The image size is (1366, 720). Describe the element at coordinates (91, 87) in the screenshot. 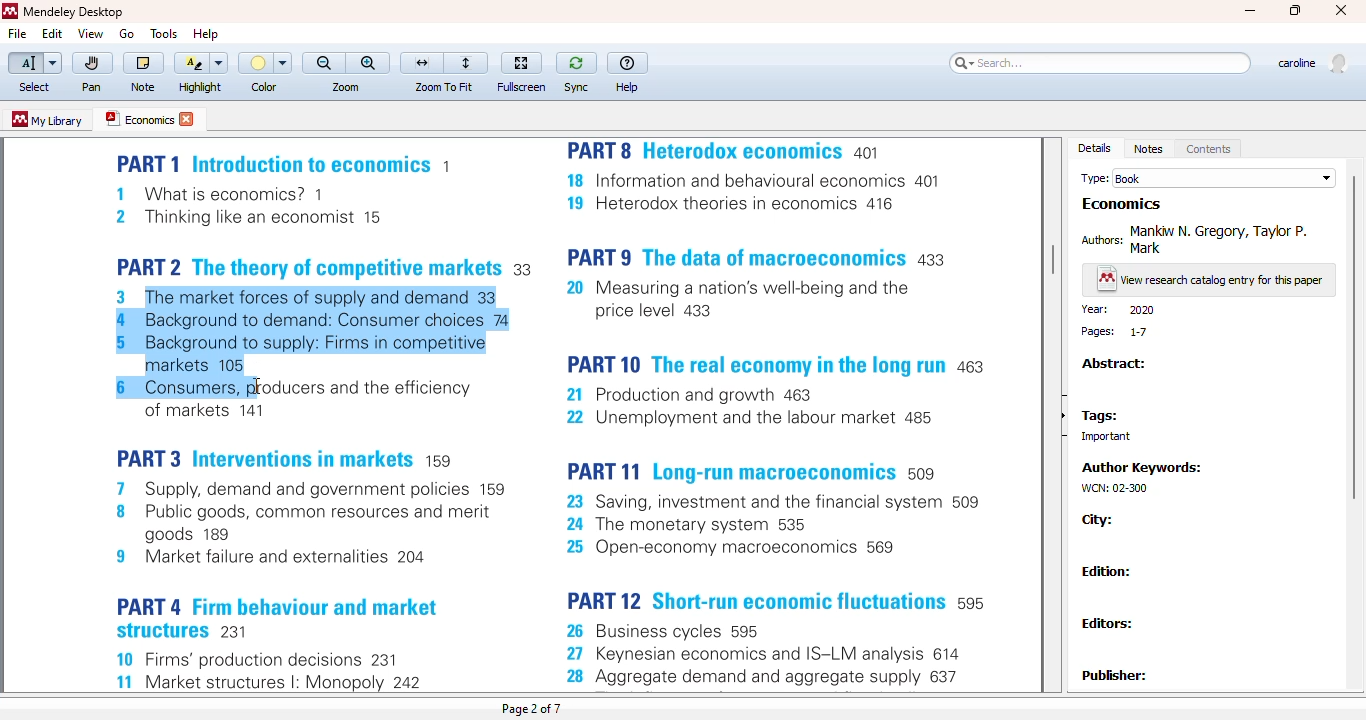

I see `pan` at that location.